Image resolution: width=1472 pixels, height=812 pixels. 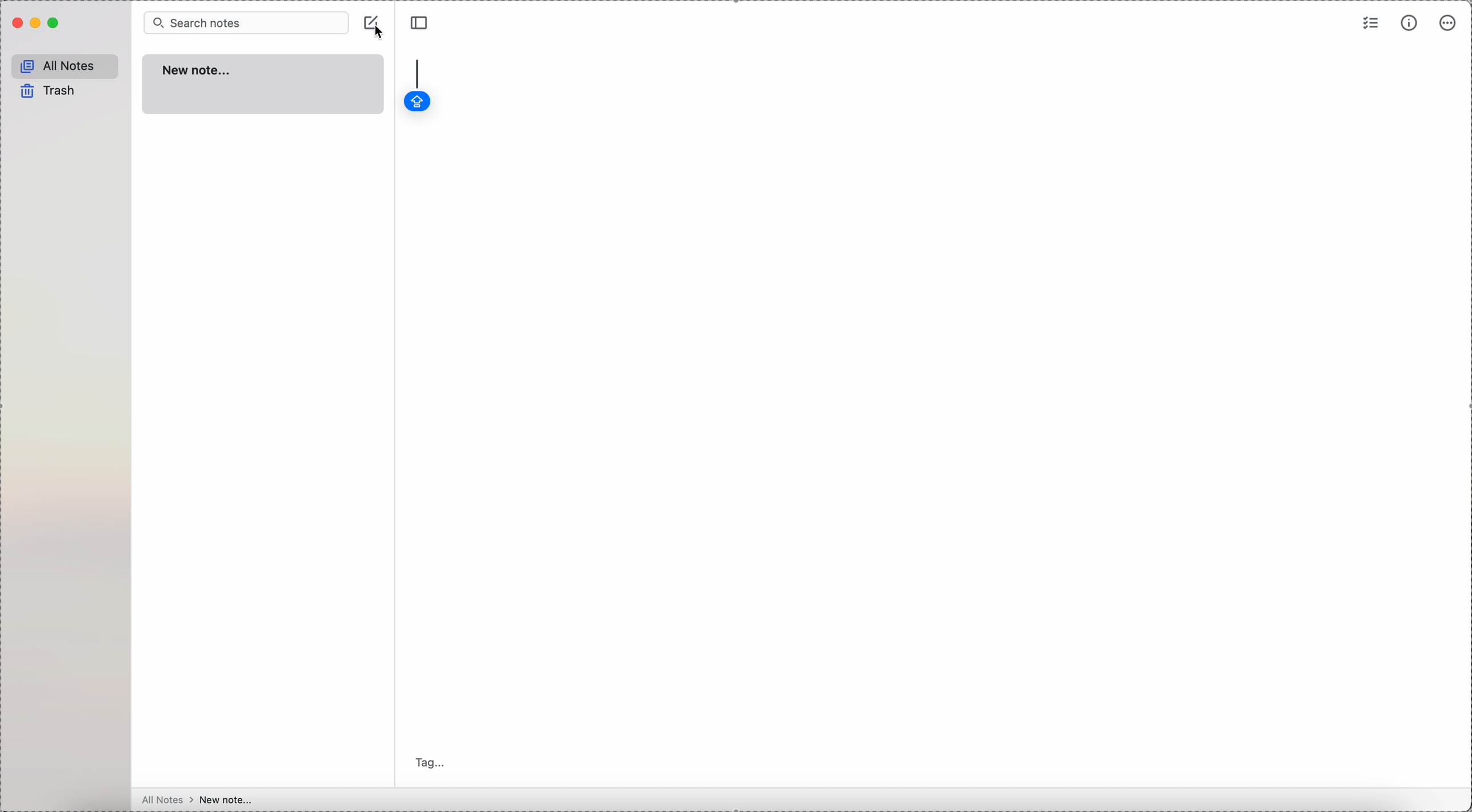 I want to click on tag, so click(x=434, y=762).